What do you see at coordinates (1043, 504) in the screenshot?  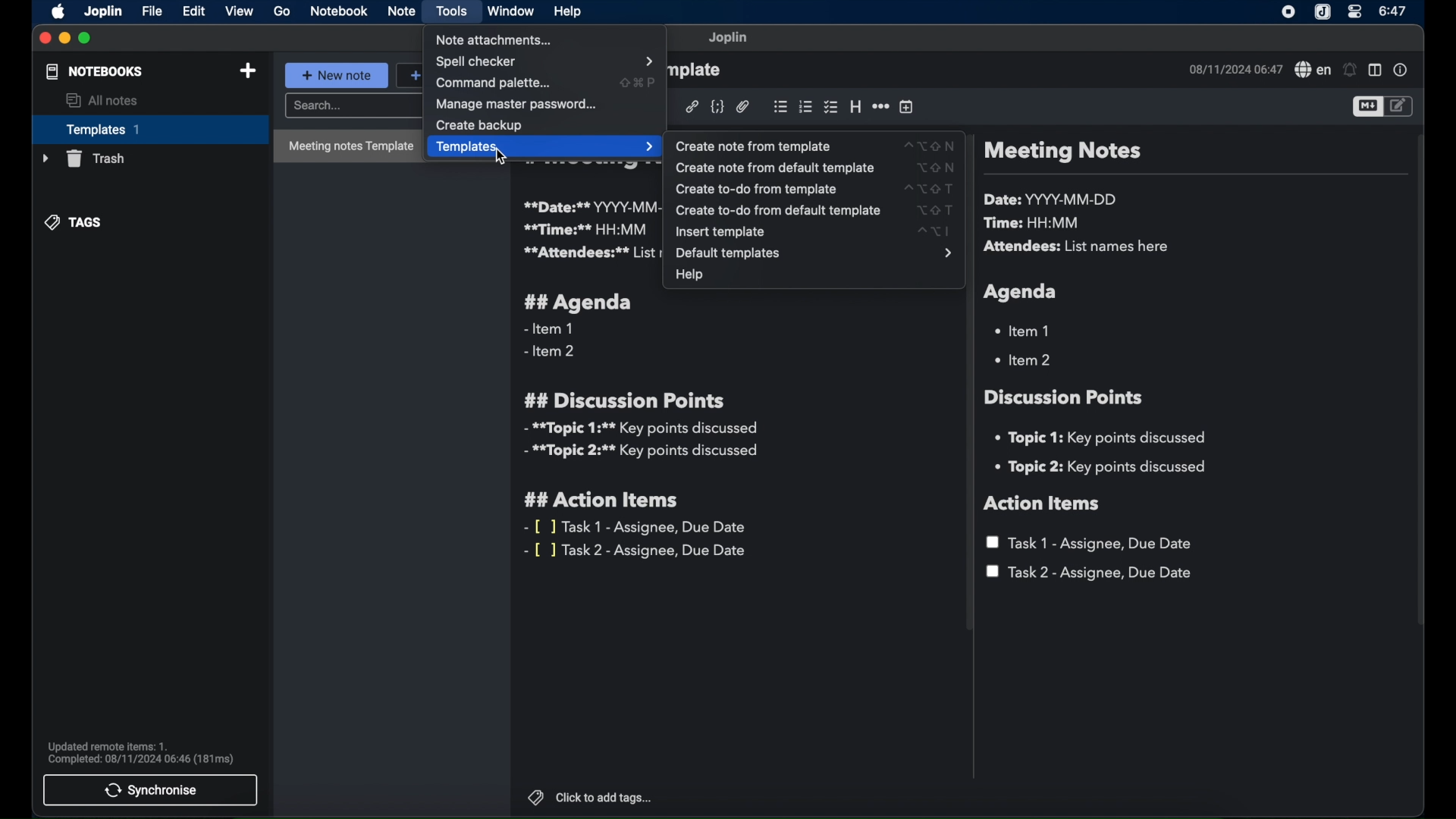 I see `action items` at bounding box center [1043, 504].